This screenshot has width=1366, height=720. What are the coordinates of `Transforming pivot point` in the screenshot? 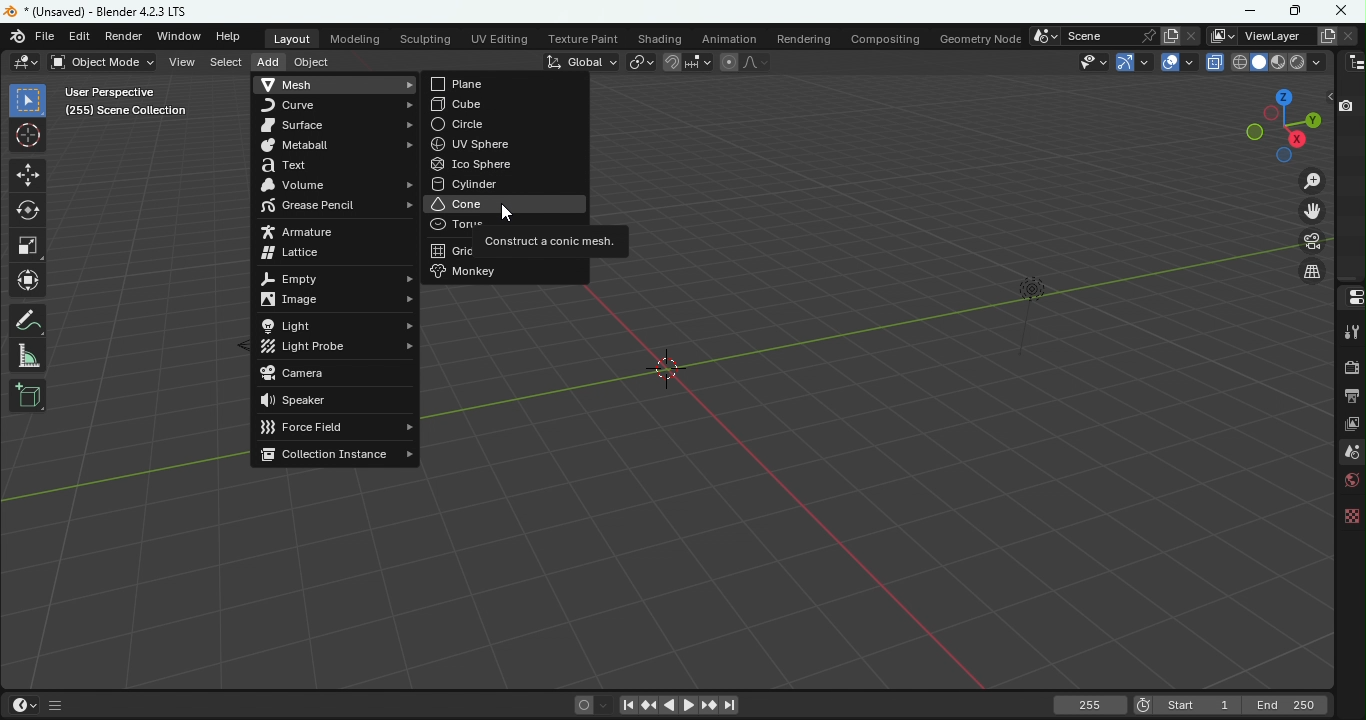 It's located at (640, 61).